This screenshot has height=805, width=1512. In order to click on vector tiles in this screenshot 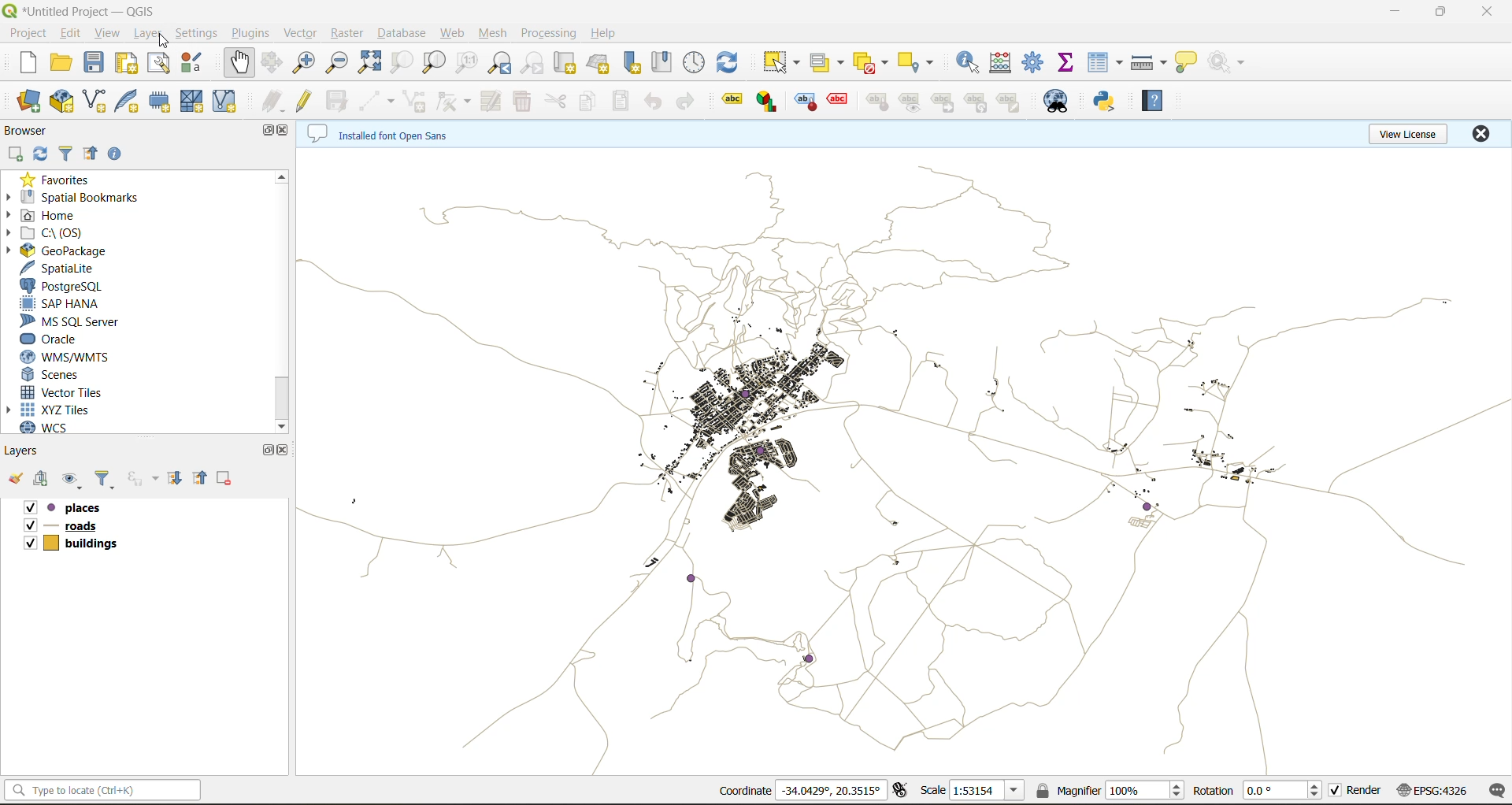, I will do `click(70, 393)`.